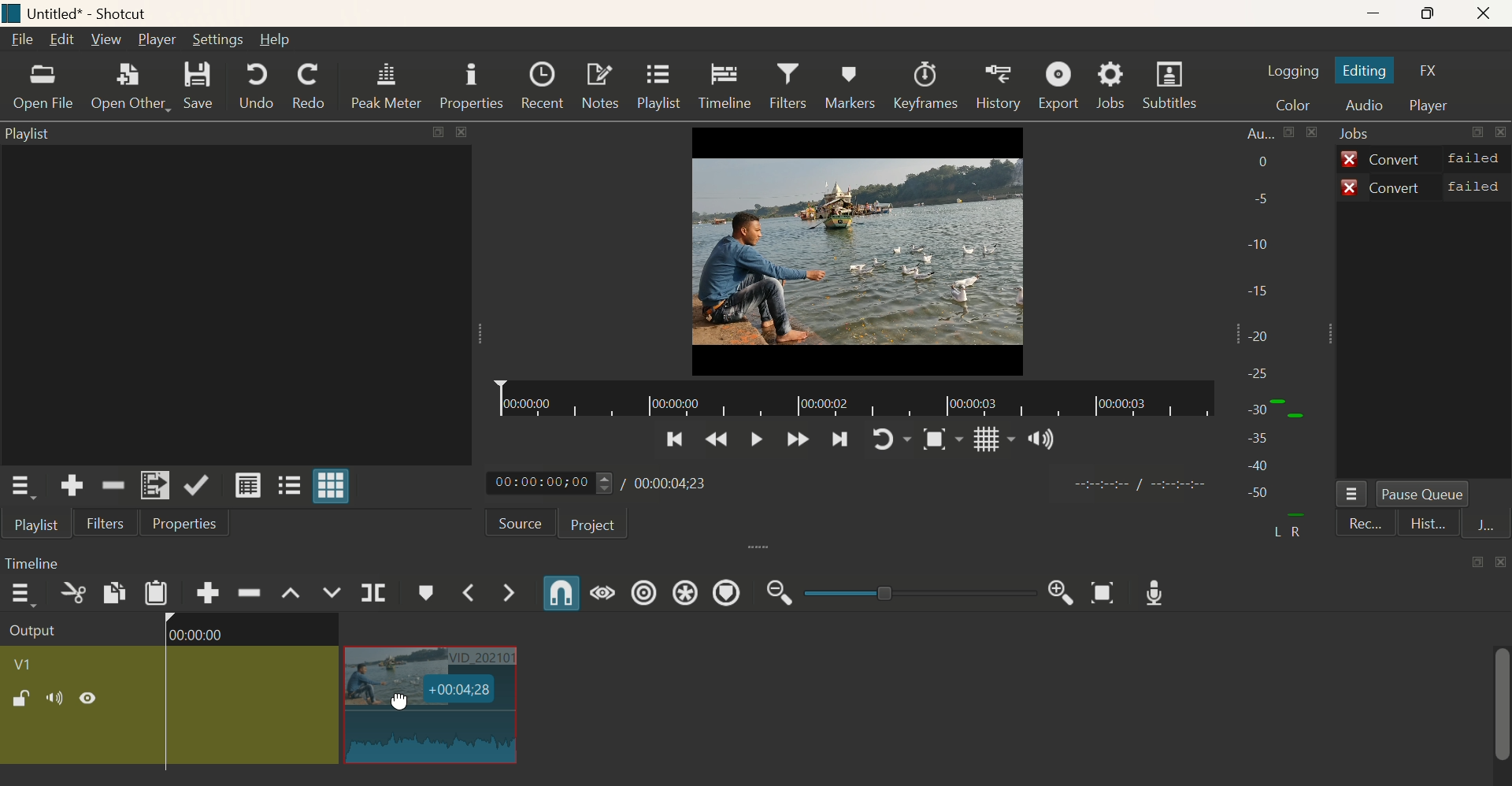  Describe the element at coordinates (199, 486) in the screenshot. I see `Update` at that location.